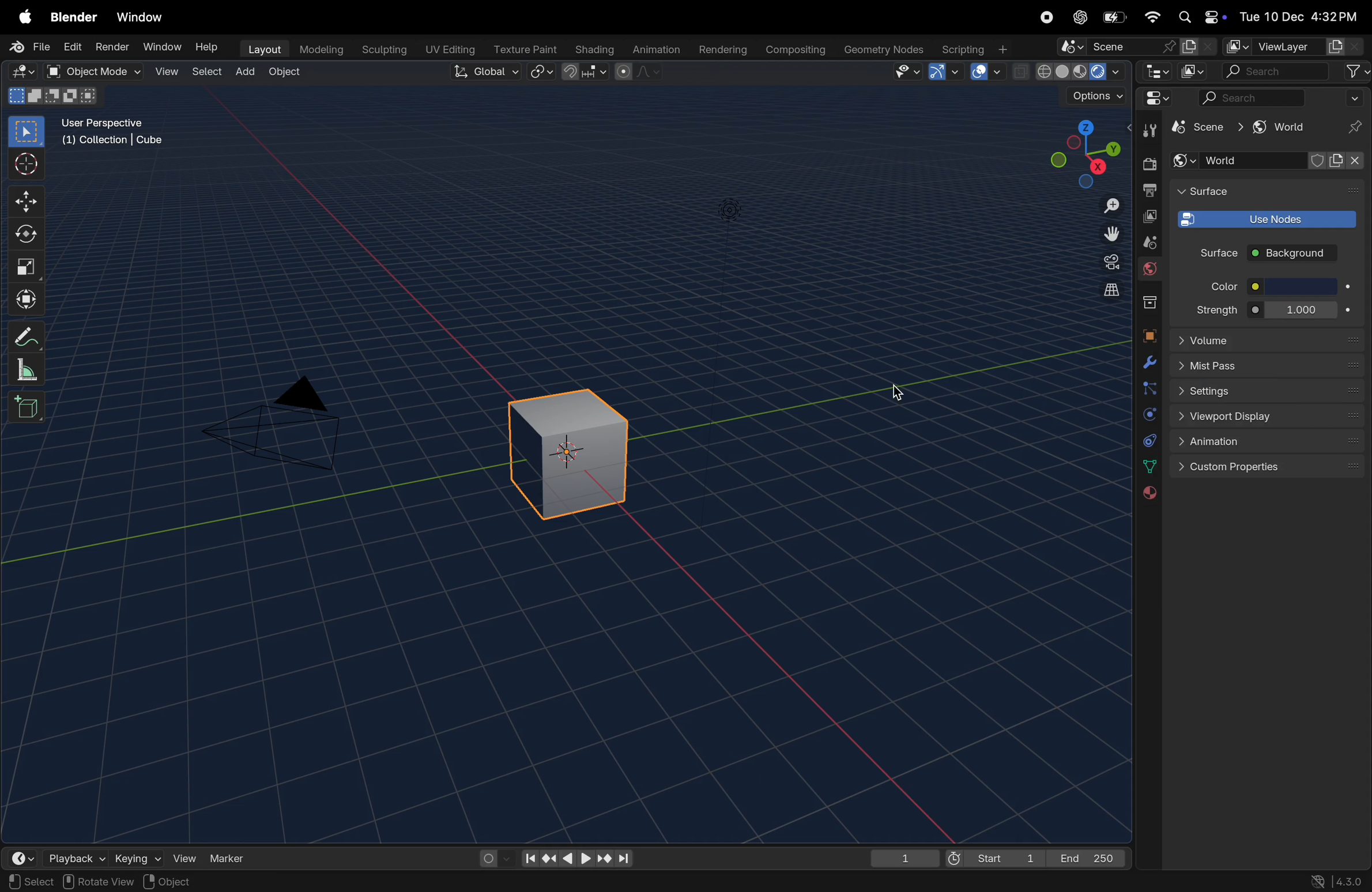 This screenshot has height=892, width=1372. What do you see at coordinates (1148, 335) in the screenshot?
I see `object ` at bounding box center [1148, 335].